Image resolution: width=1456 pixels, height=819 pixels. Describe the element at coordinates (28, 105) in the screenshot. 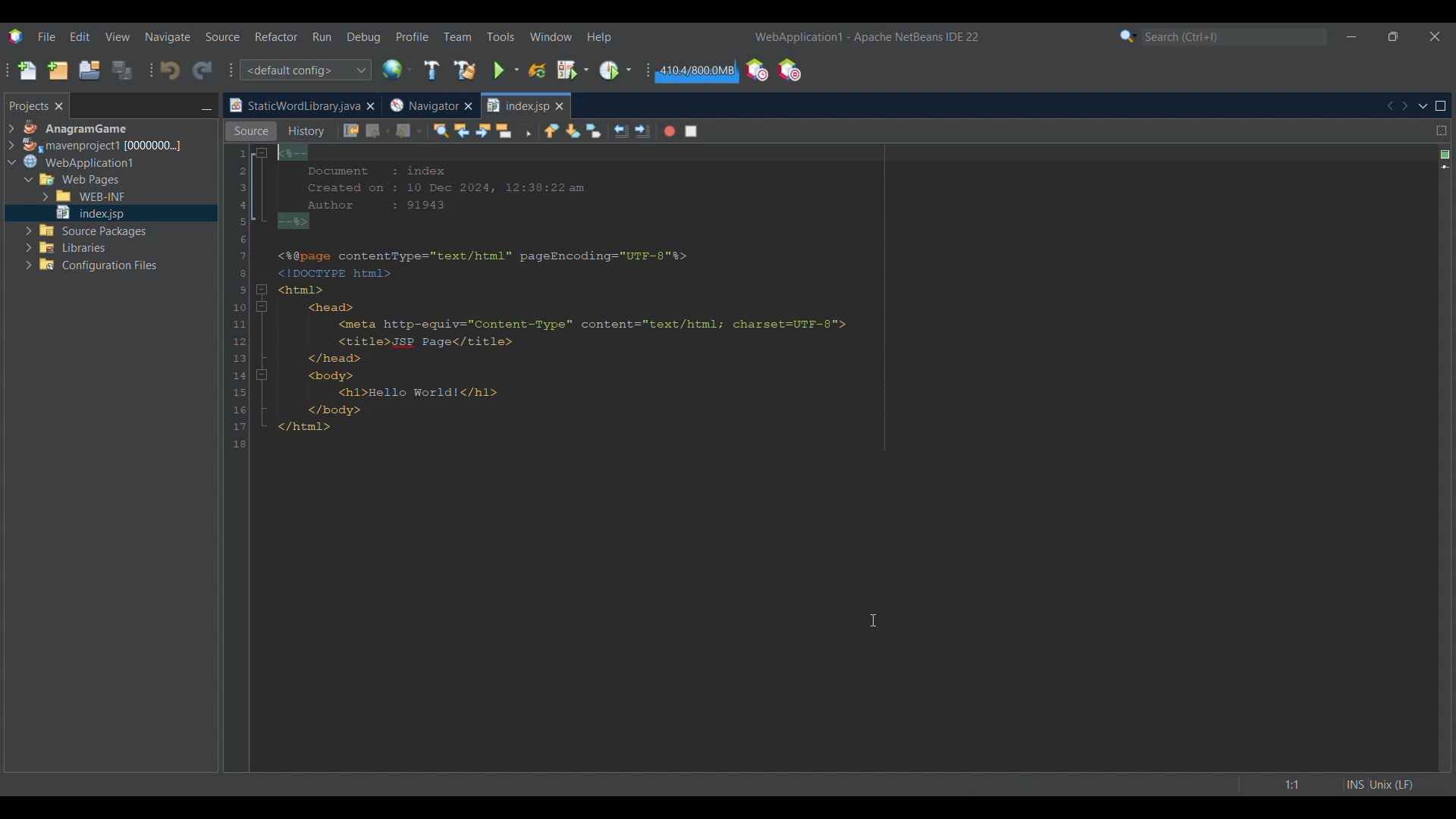

I see `Projects, current tab highlighted` at that location.